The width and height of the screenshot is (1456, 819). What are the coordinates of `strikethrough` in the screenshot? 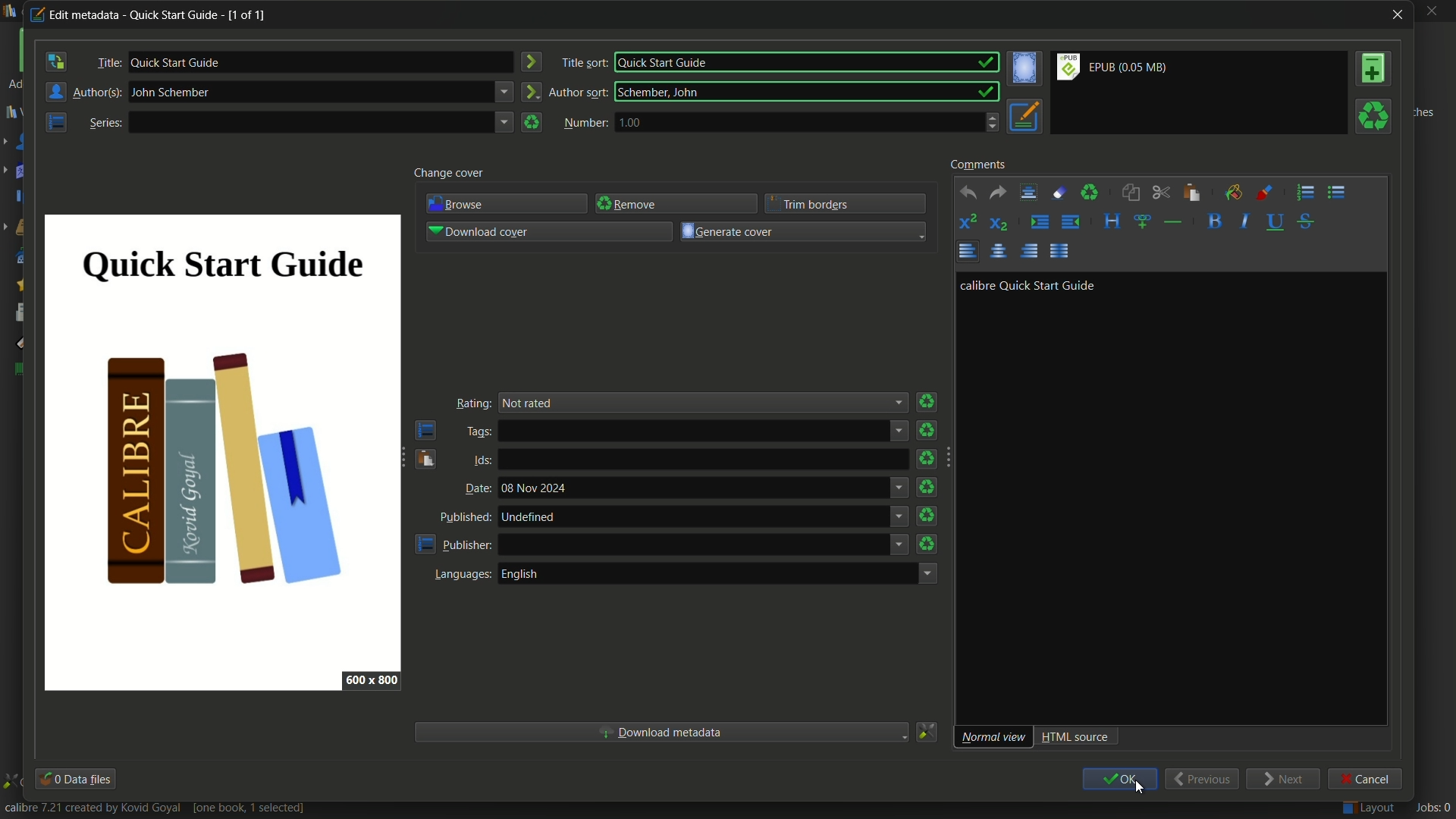 It's located at (1310, 221).